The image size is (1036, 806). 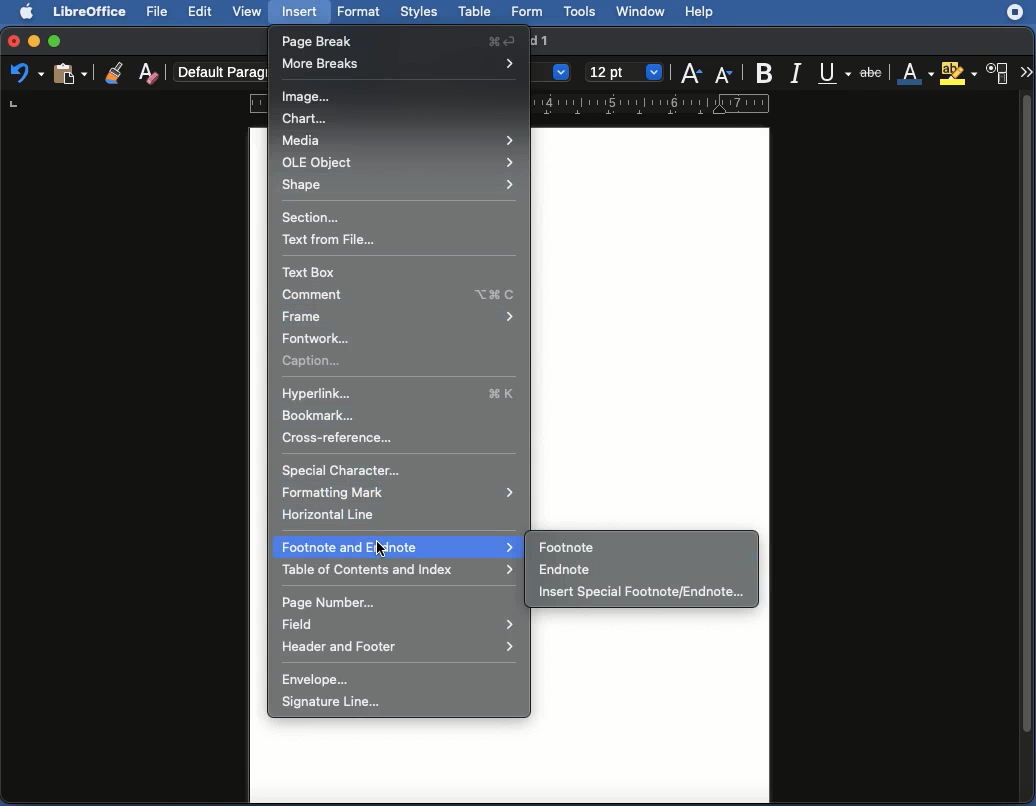 What do you see at coordinates (339, 438) in the screenshot?
I see `Cross reference` at bounding box center [339, 438].